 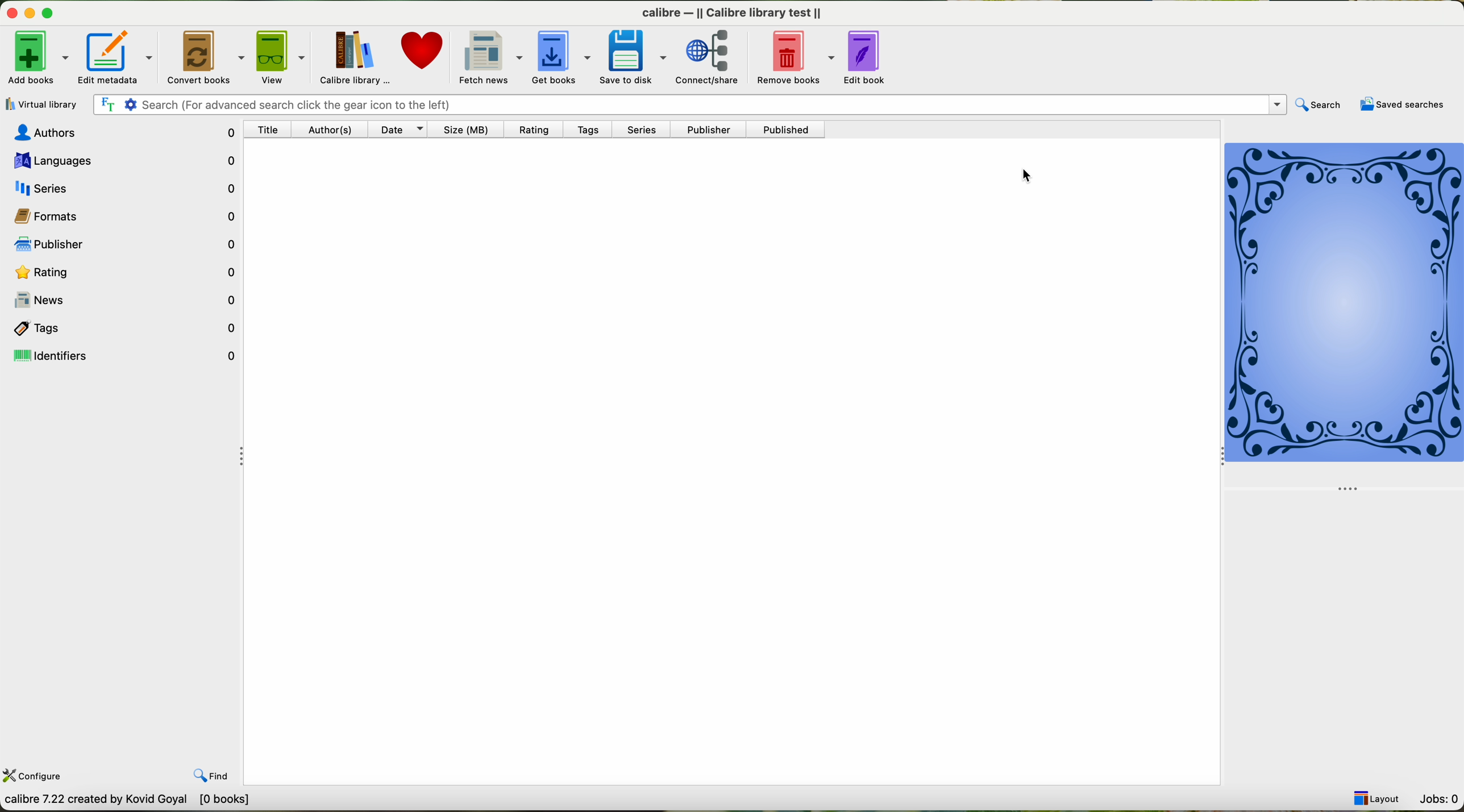 What do you see at coordinates (735, 12) in the screenshot?
I see `calibre — || Calibre library ||` at bounding box center [735, 12].